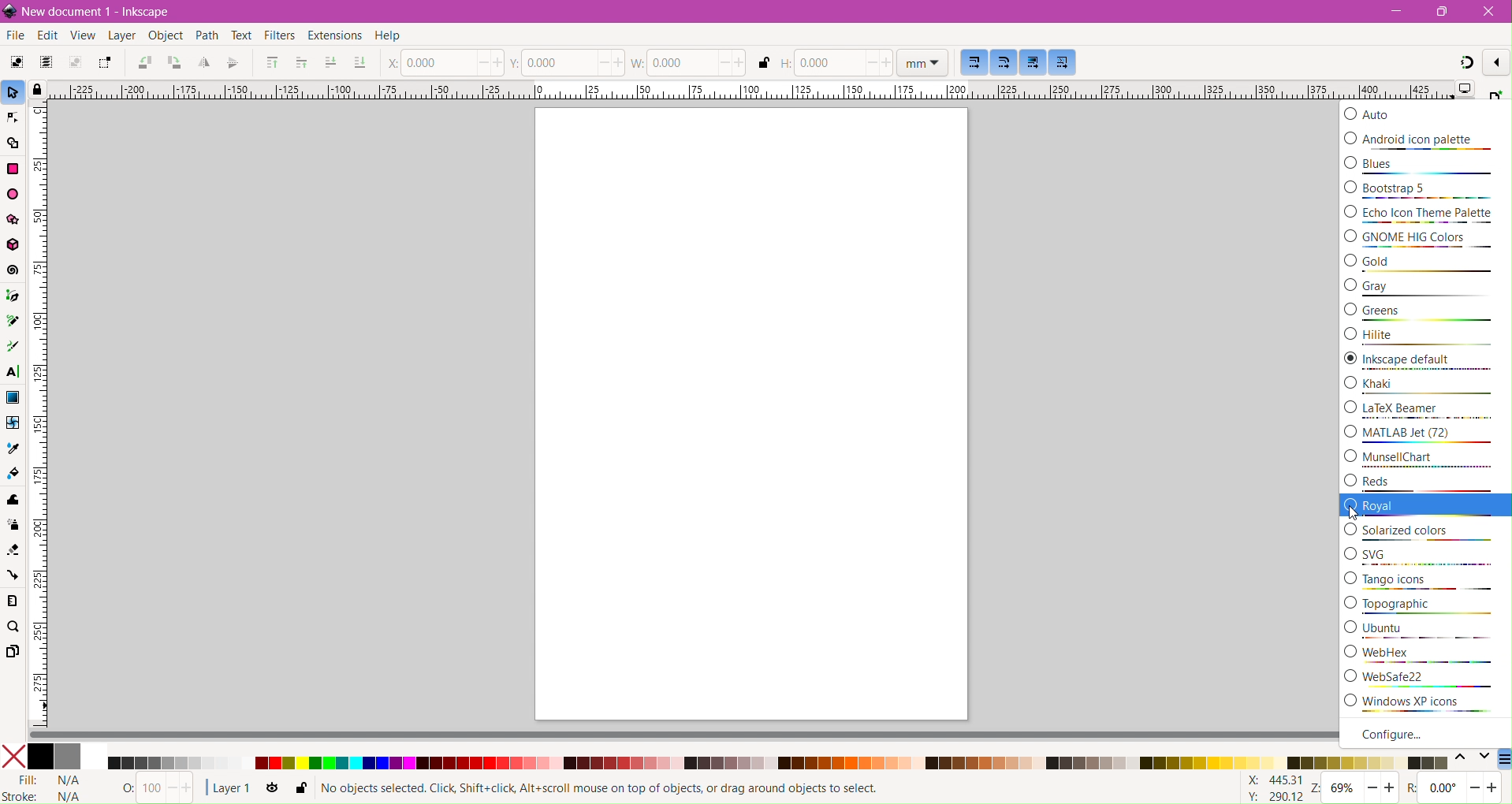  What do you see at coordinates (13, 271) in the screenshot?
I see `Spiral Tool` at bounding box center [13, 271].